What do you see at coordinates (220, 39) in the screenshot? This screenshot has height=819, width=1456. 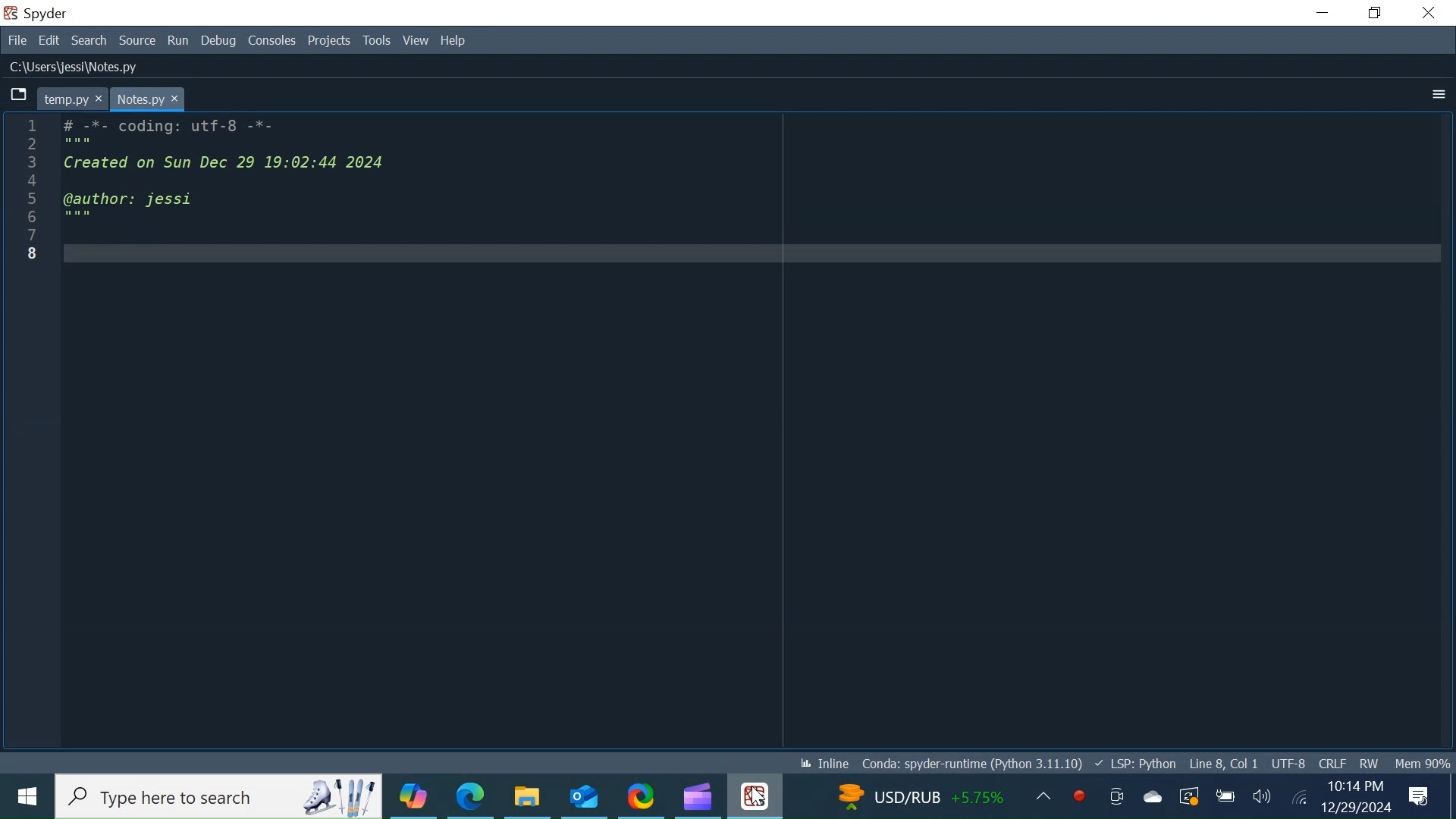 I see `Debug` at bounding box center [220, 39].